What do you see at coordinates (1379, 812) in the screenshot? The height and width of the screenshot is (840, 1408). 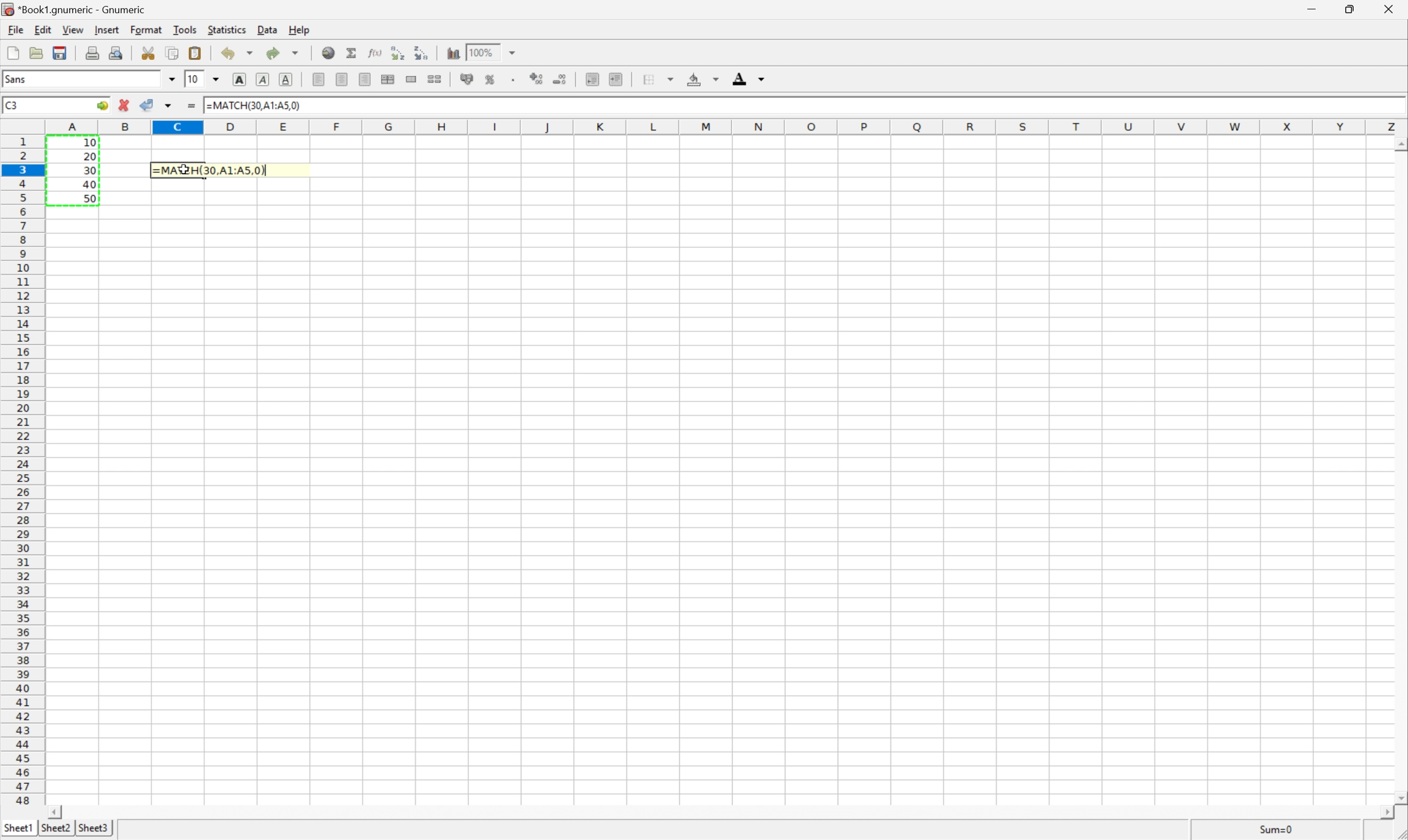 I see `Scroll right` at bounding box center [1379, 812].